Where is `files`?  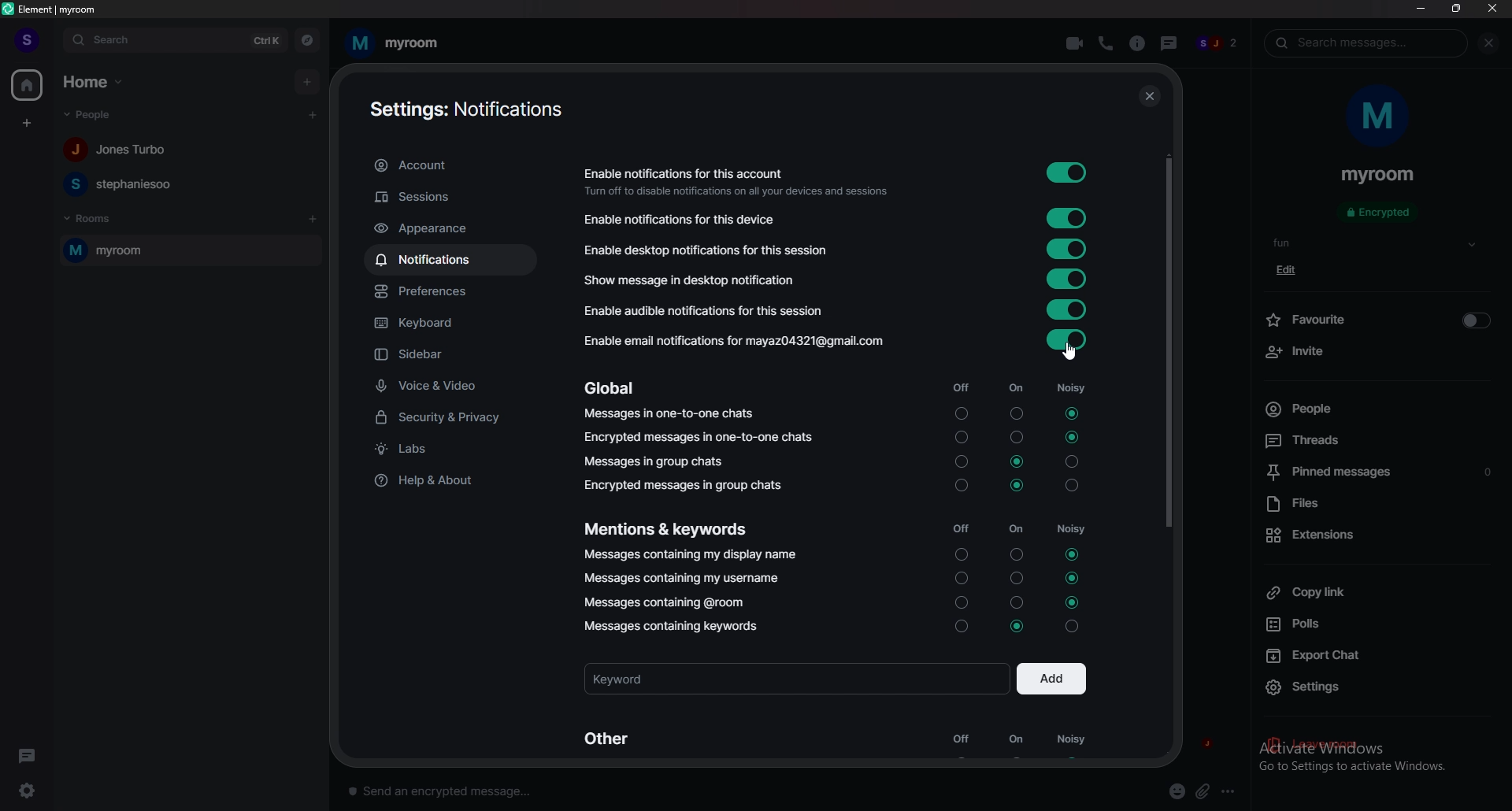
files is located at coordinates (1377, 505).